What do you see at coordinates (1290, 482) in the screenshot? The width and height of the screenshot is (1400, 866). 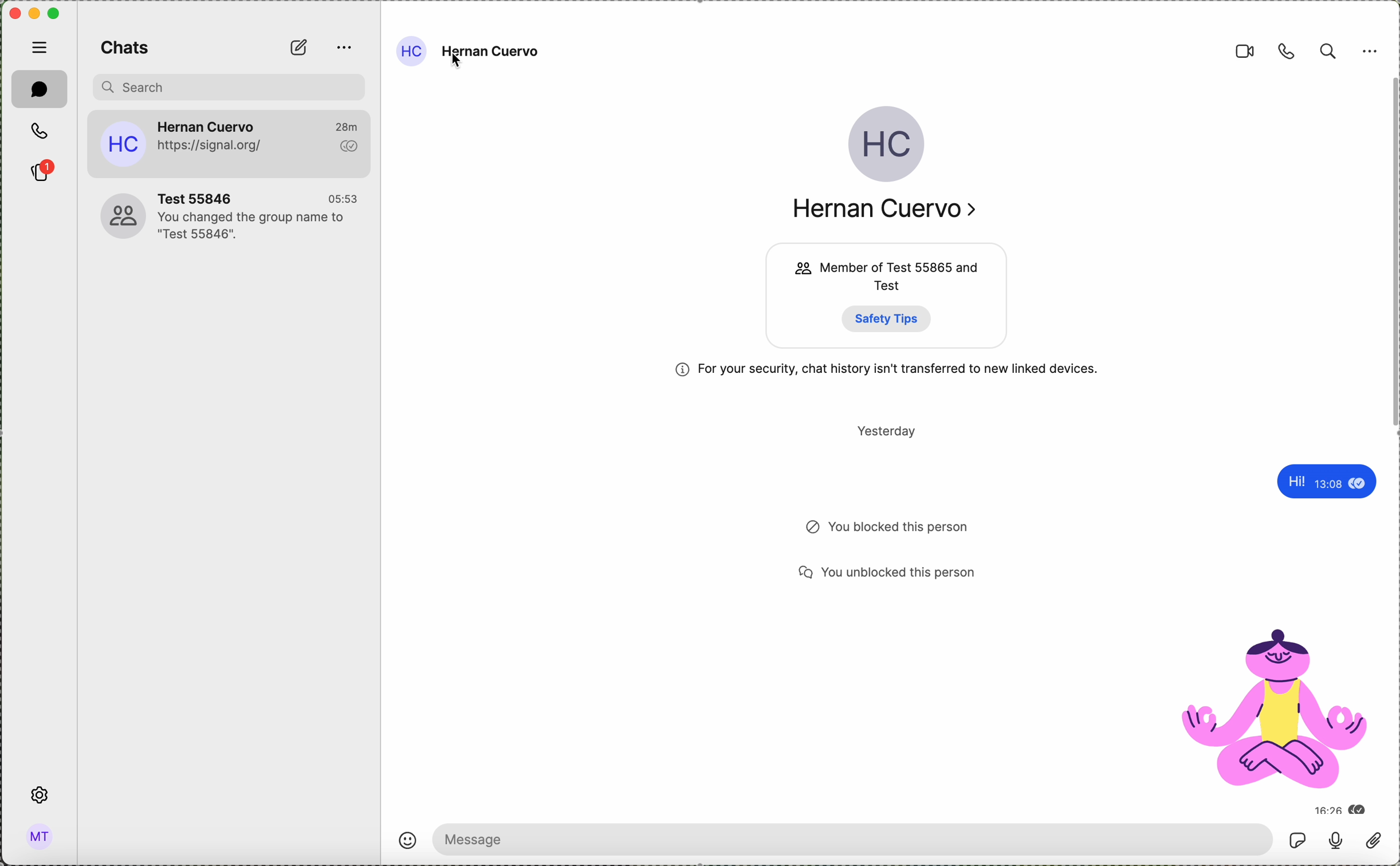 I see `Hi!` at bounding box center [1290, 482].